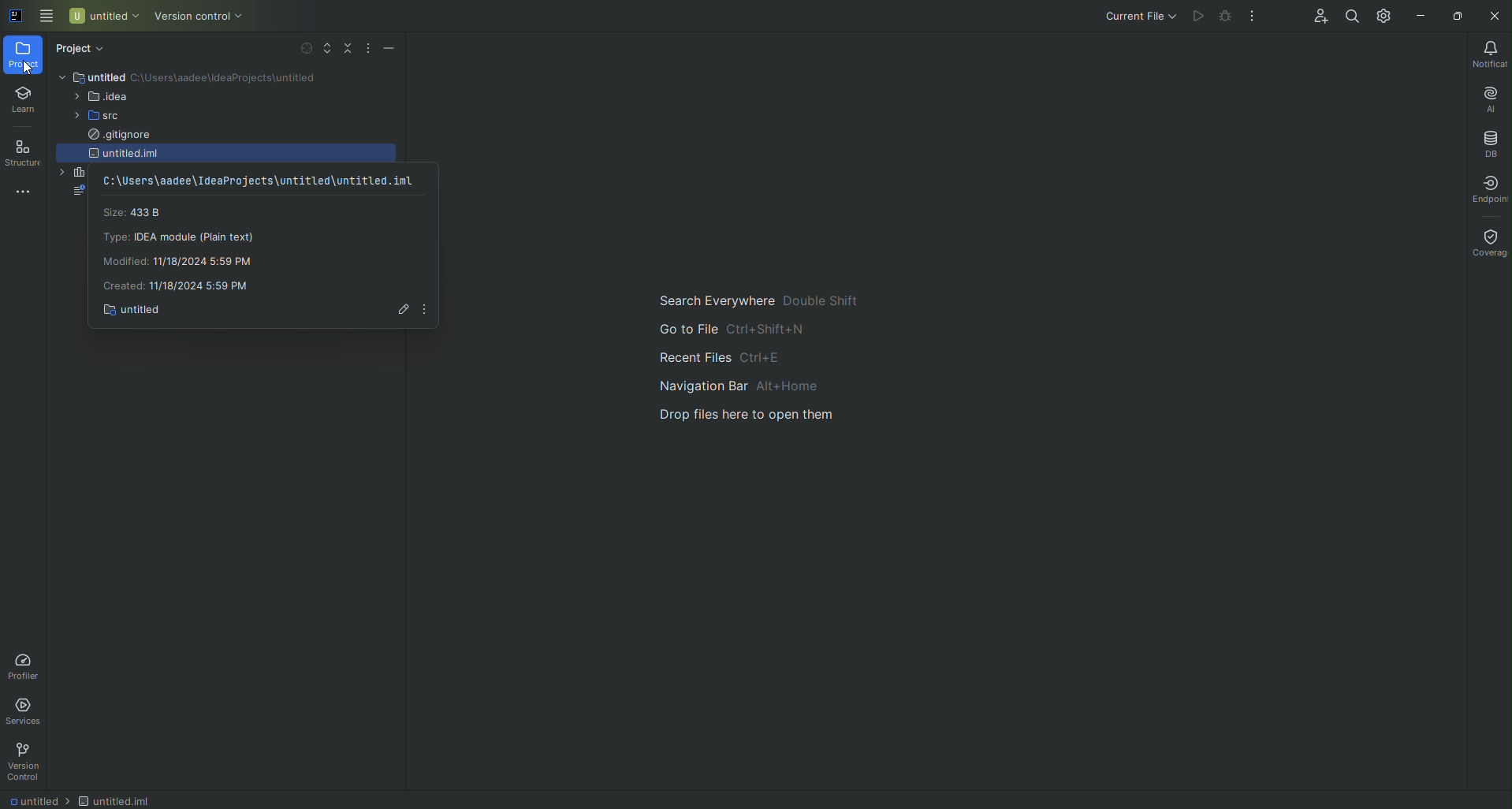 This screenshot has width=1512, height=809. What do you see at coordinates (1382, 15) in the screenshot?
I see `Updates and Settings` at bounding box center [1382, 15].